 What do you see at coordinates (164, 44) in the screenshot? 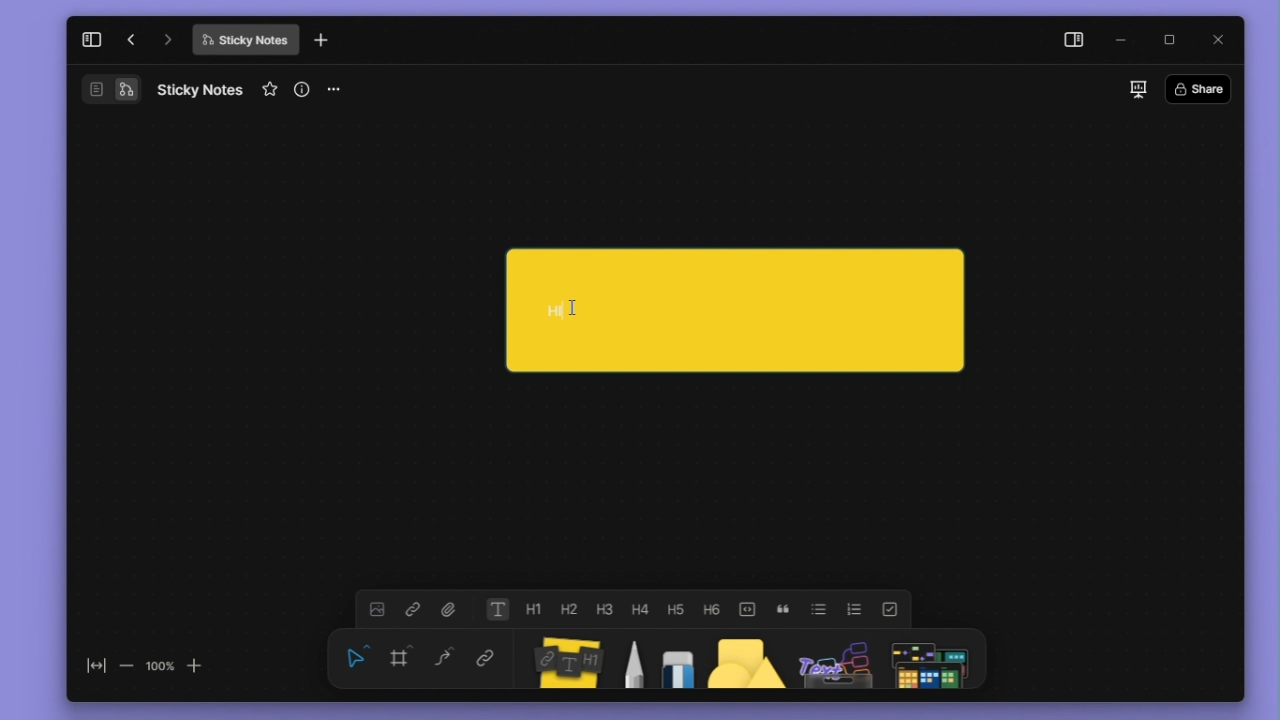
I see `go forward` at bounding box center [164, 44].